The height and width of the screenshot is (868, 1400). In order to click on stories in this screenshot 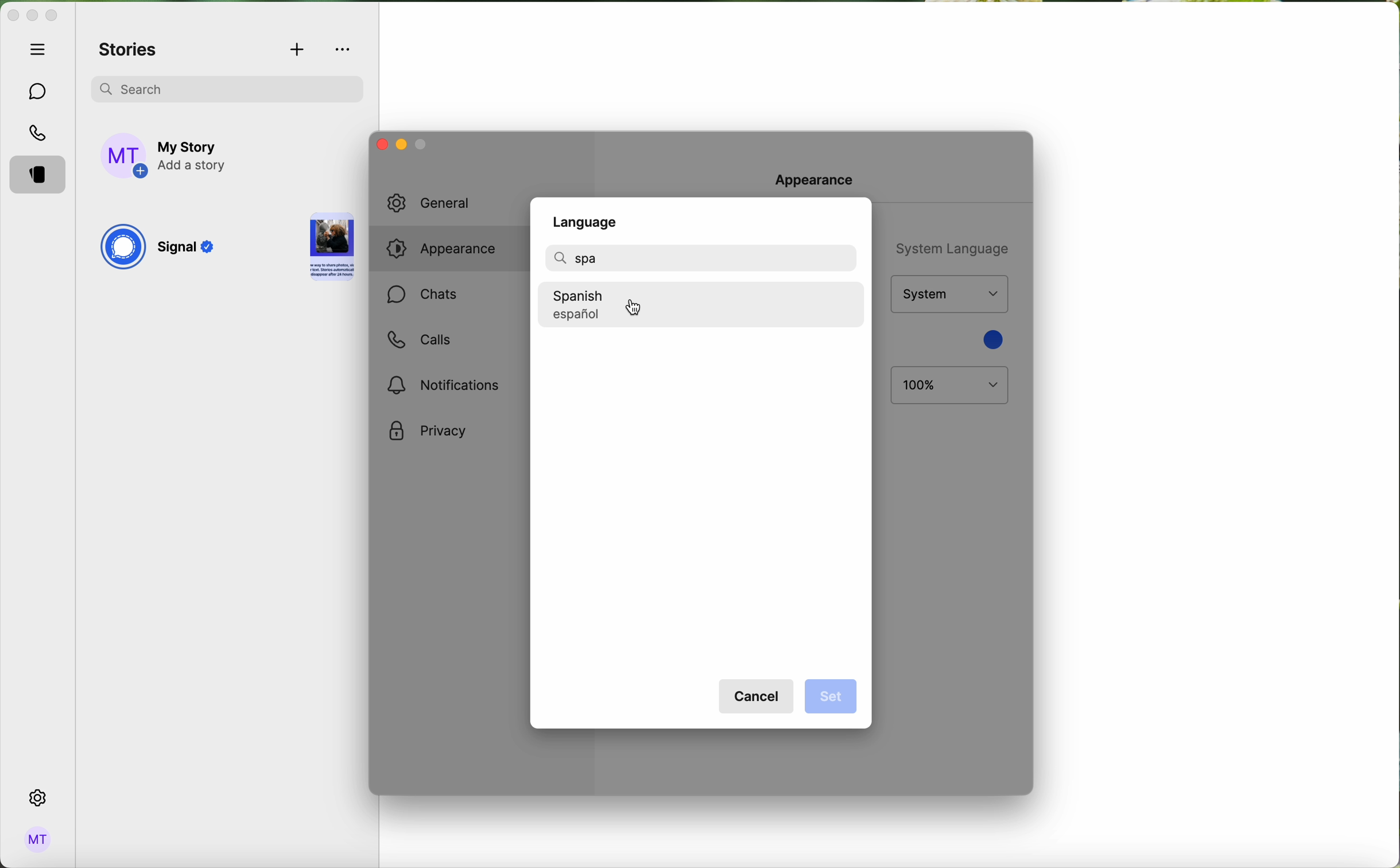, I will do `click(41, 176)`.